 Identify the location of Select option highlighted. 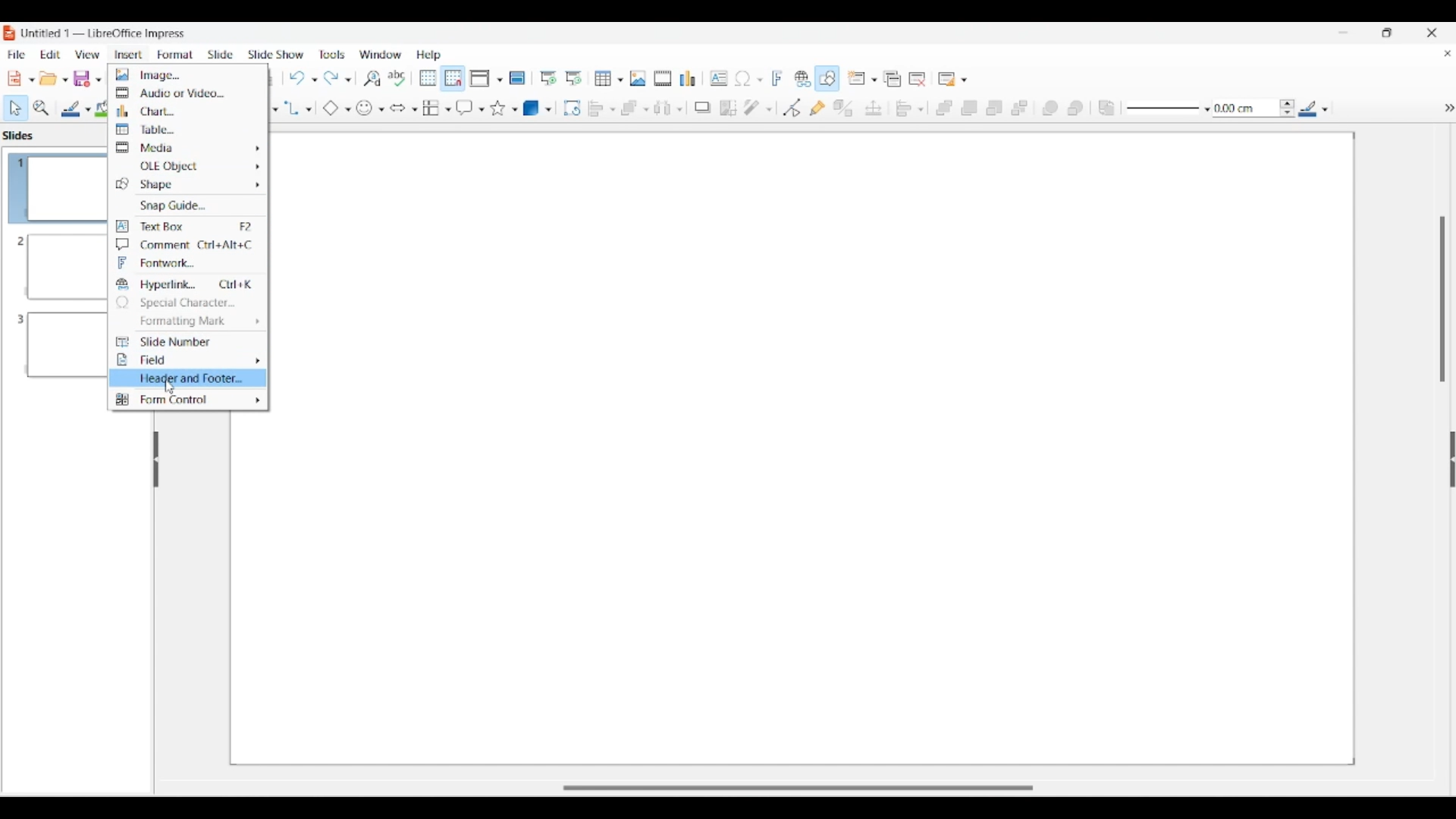
(15, 108).